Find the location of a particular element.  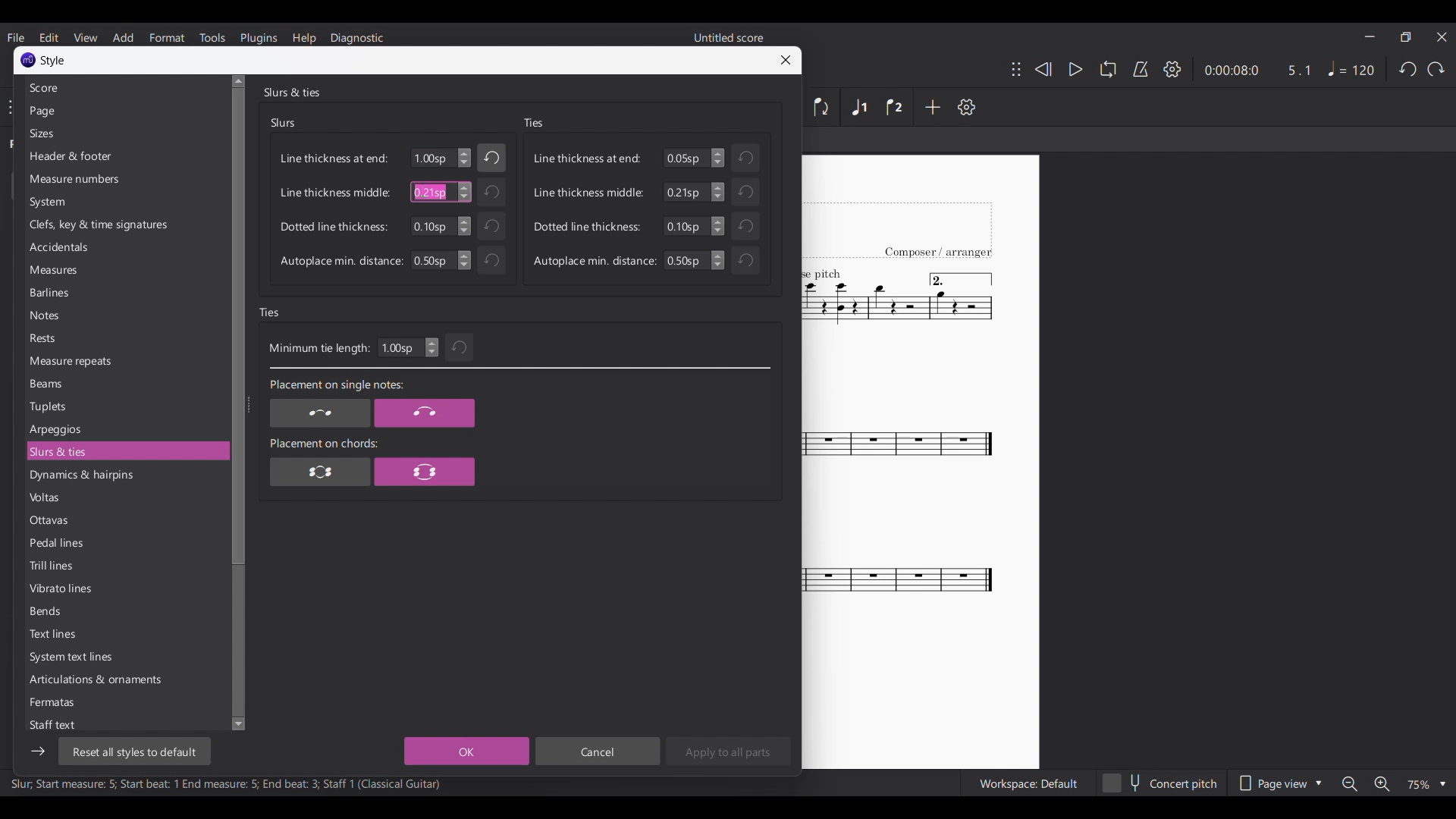

Reset all styles to default is located at coordinates (133, 752).